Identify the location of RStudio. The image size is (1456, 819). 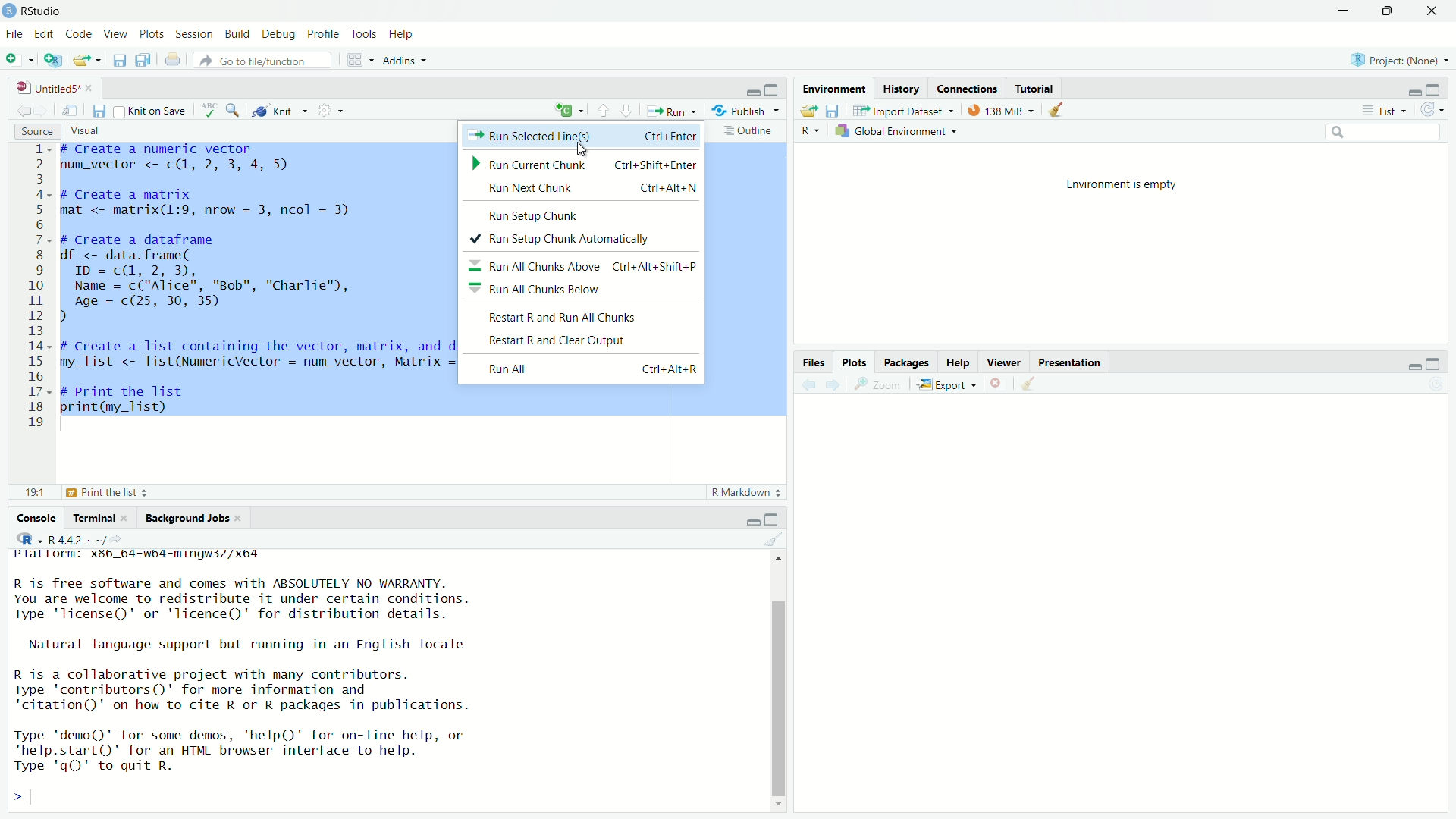
(43, 11).